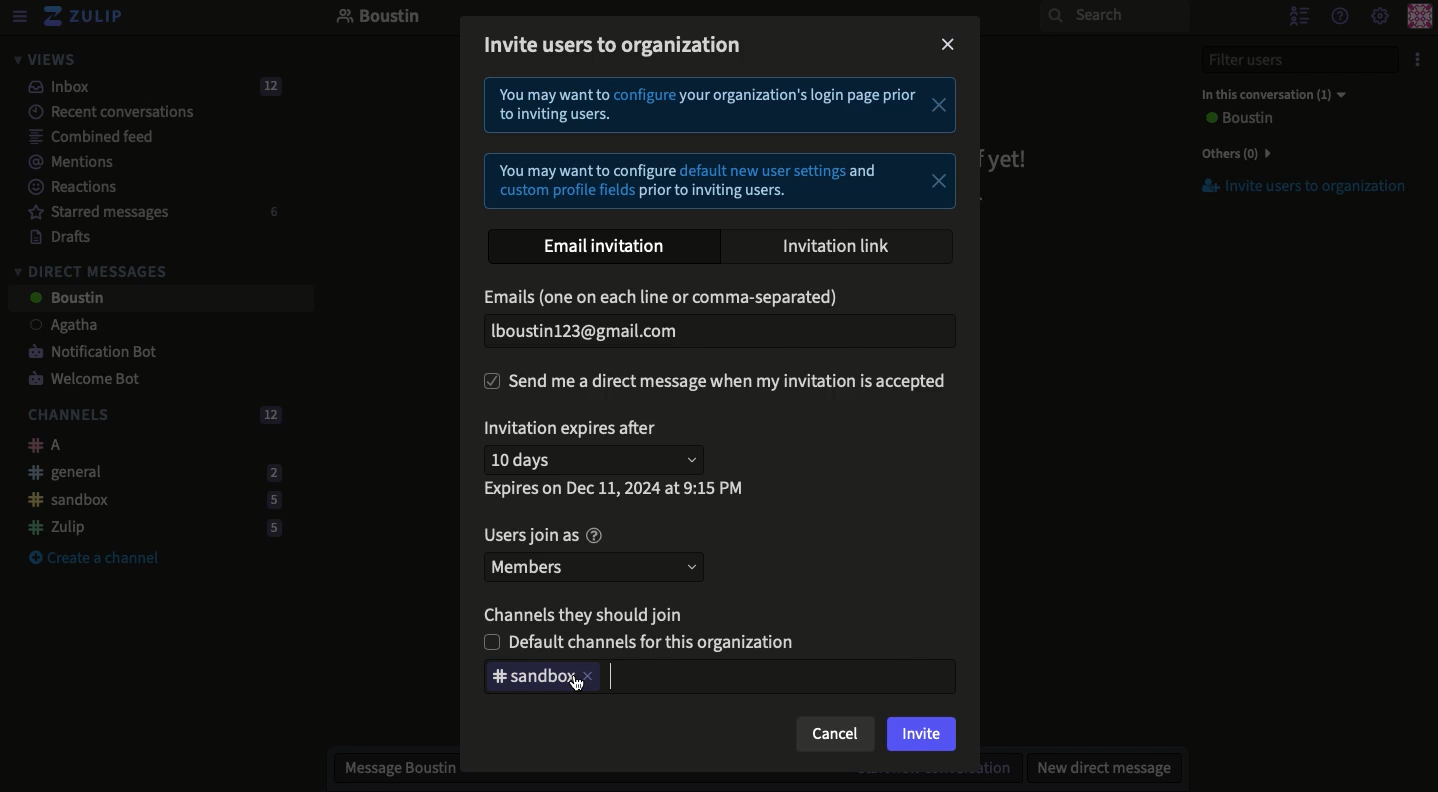 The image size is (1438, 792). I want to click on Expires on data, so click(616, 489).